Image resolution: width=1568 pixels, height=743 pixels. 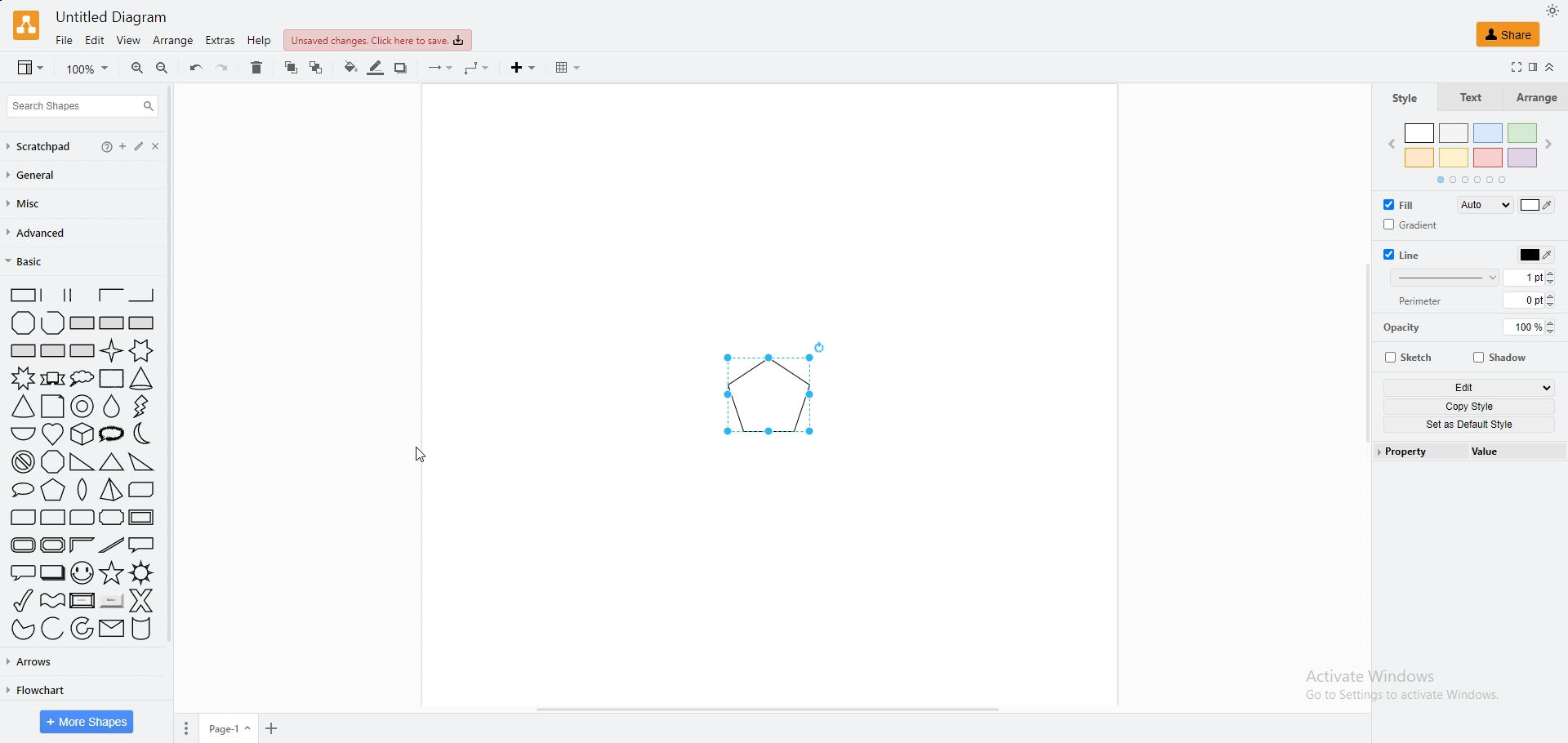 I want to click on general, so click(x=40, y=176).